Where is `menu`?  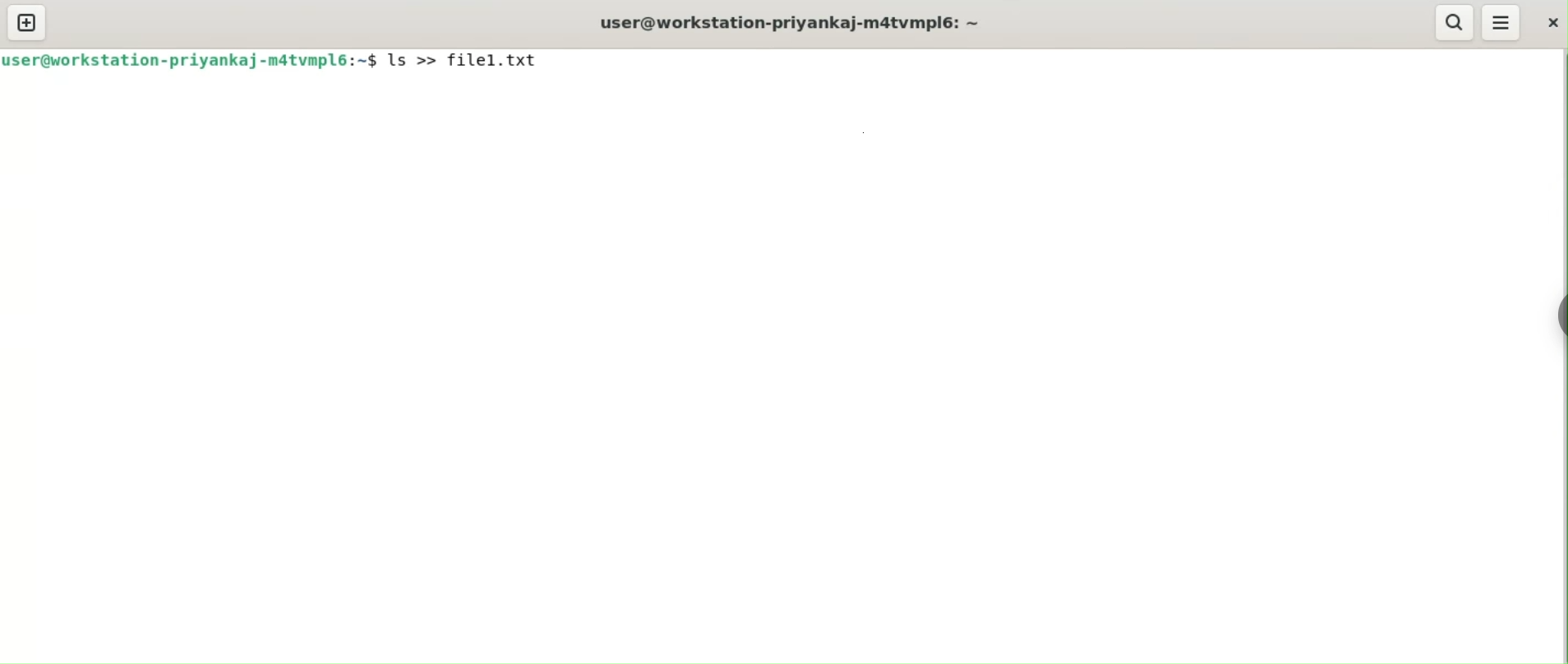
menu is located at coordinates (1500, 21).